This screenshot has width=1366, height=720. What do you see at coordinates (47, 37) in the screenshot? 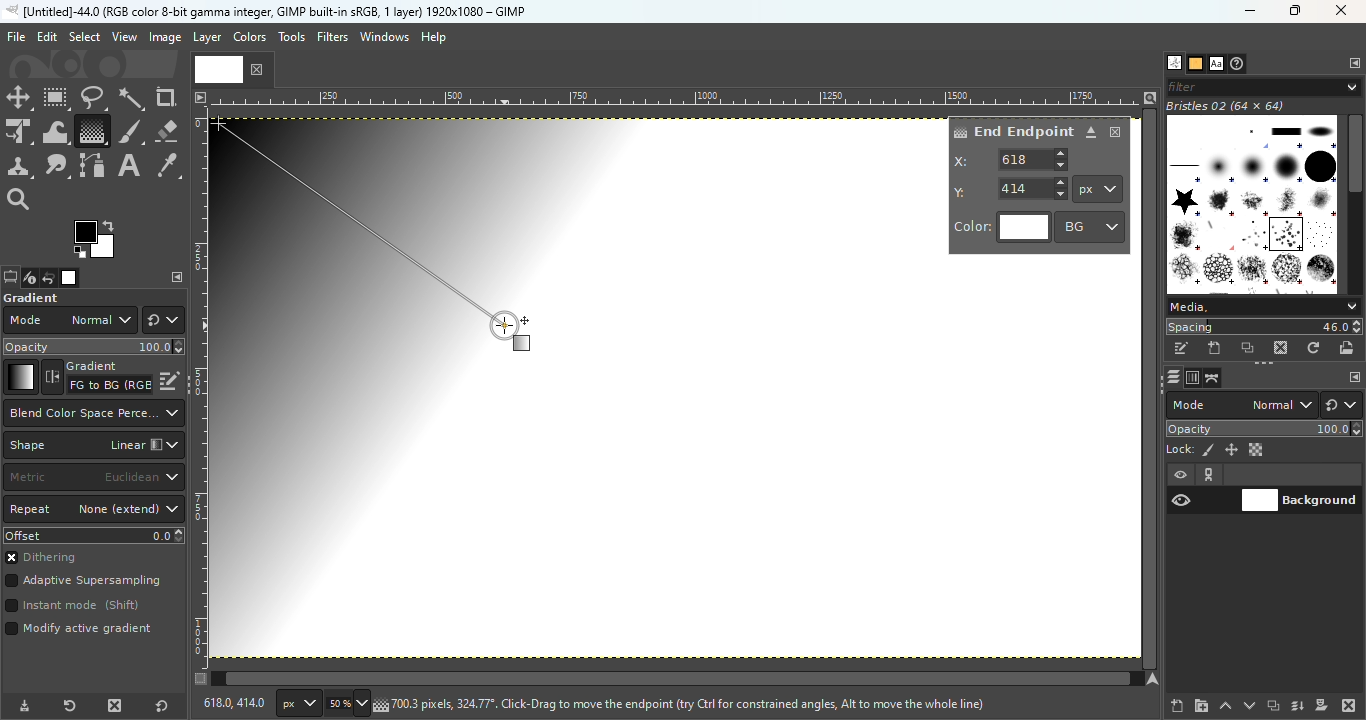
I see `Edit` at bounding box center [47, 37].